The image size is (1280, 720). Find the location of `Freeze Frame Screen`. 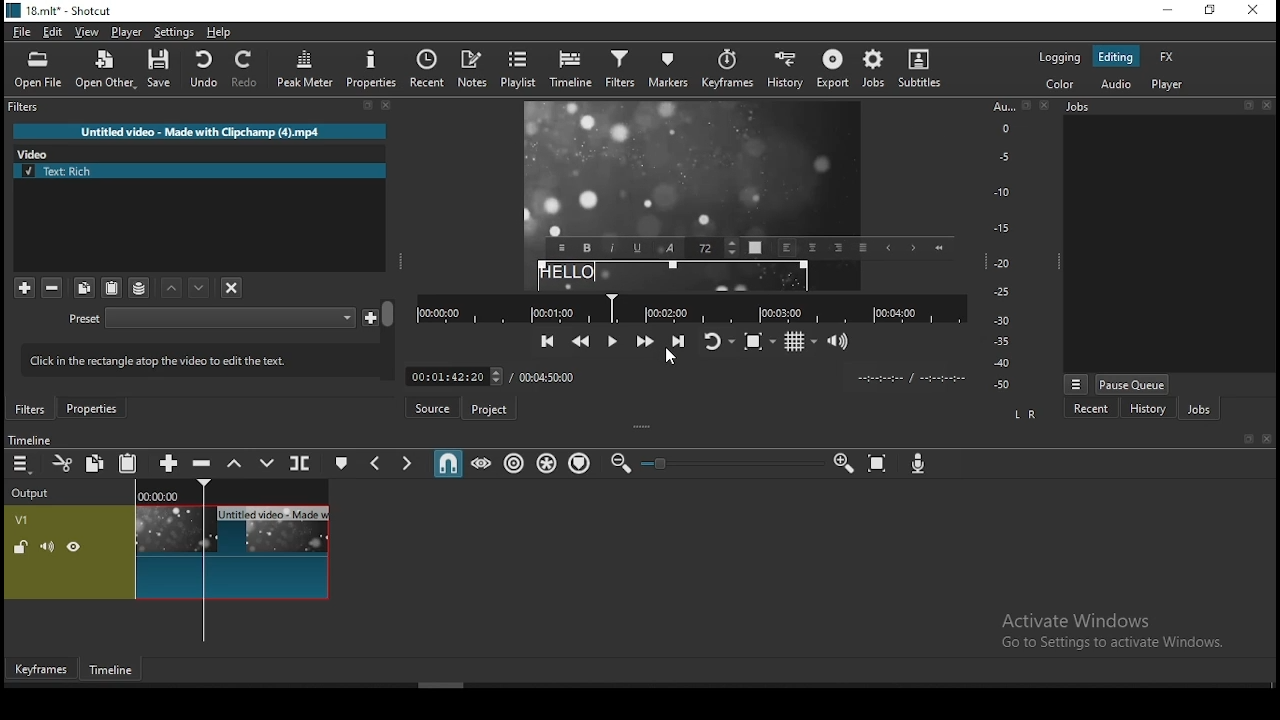

Freeze Frame Screen is located at coordinates (694, 169).